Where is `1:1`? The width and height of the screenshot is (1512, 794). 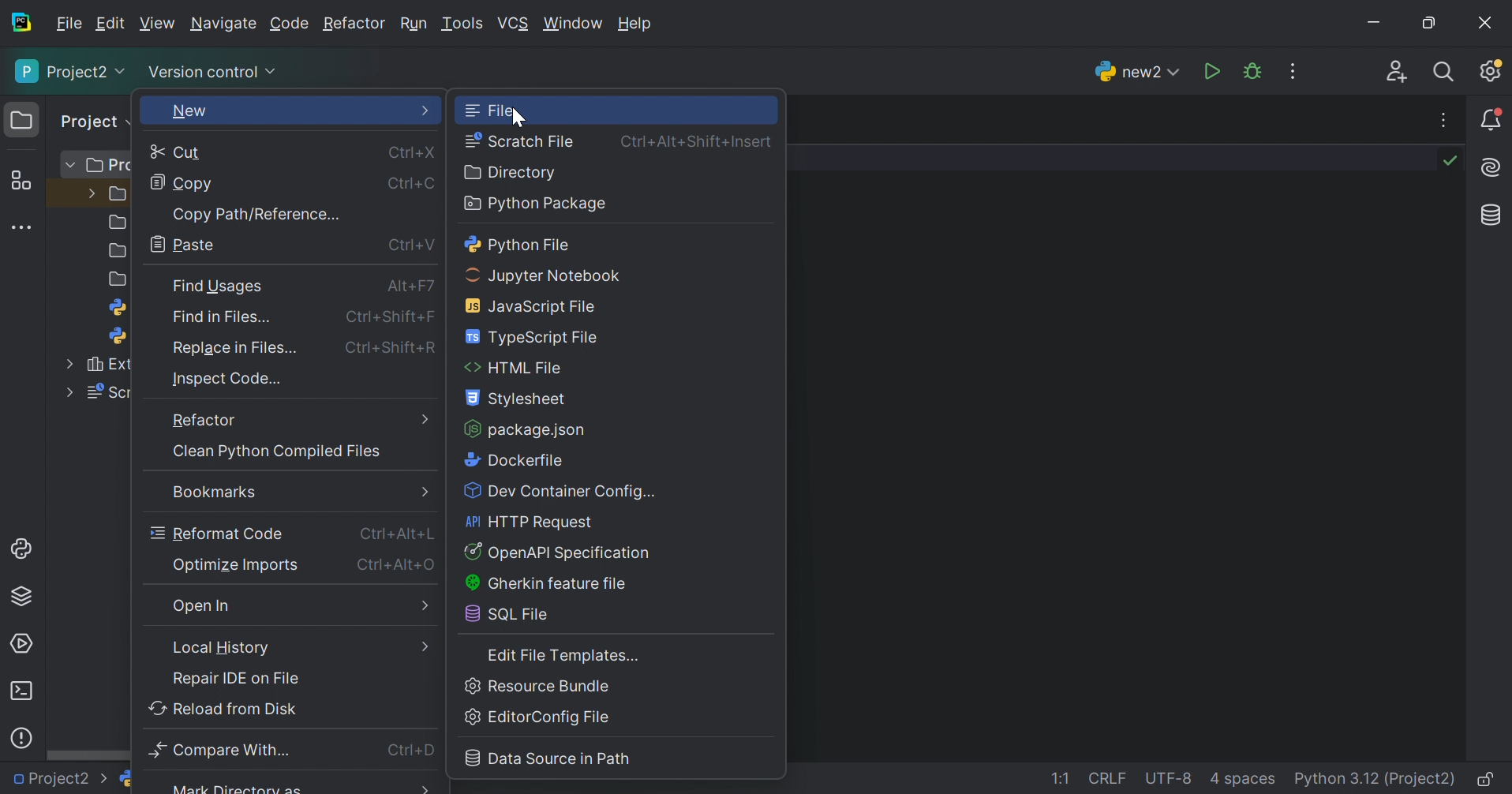 1:1 is located at coordinates (1065, 780).